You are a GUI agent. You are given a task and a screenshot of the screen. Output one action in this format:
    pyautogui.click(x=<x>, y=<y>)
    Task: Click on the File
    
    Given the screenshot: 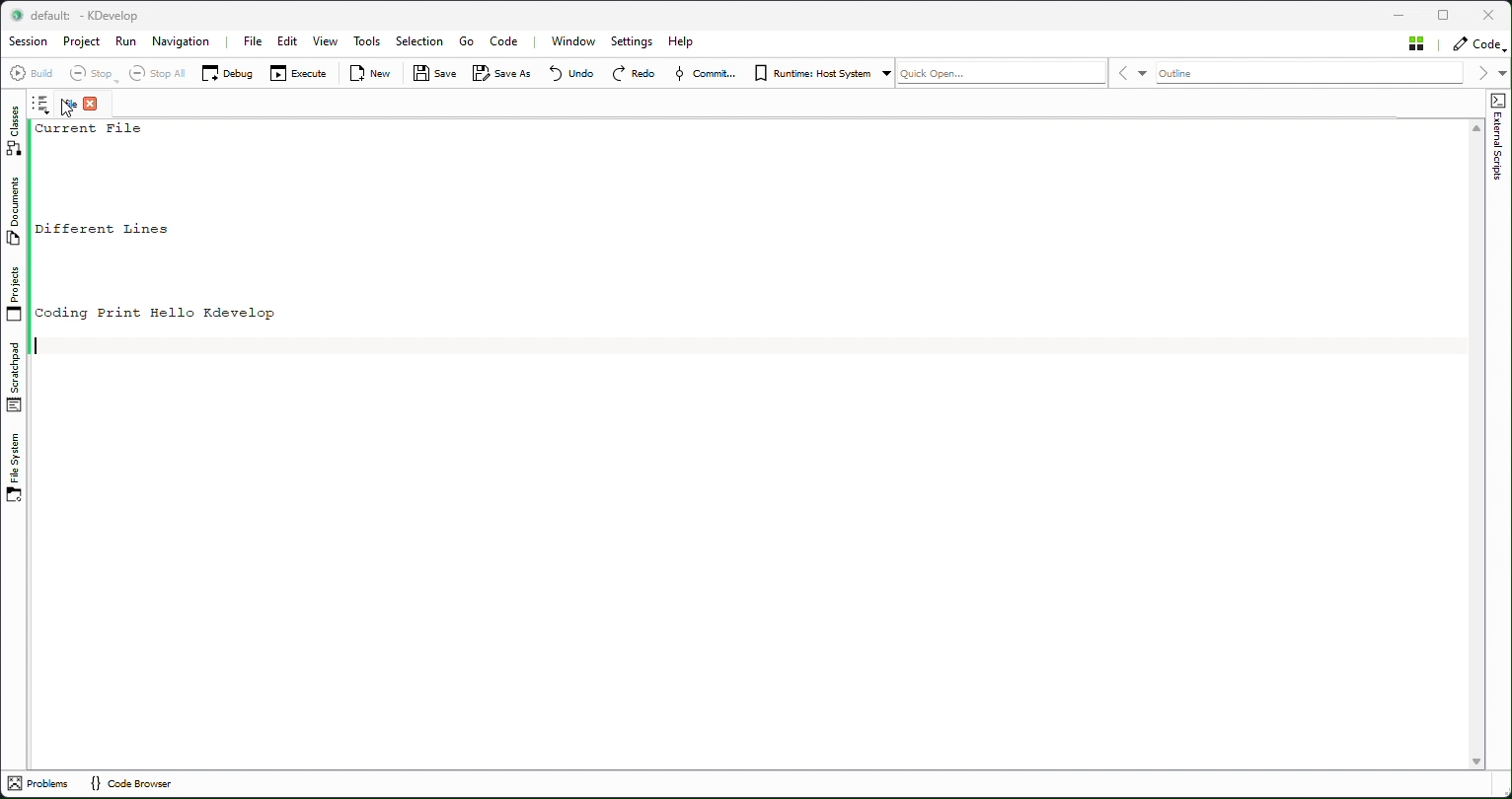 What is the action you would take?
    pyautogui.click(x=251, y=41)
    